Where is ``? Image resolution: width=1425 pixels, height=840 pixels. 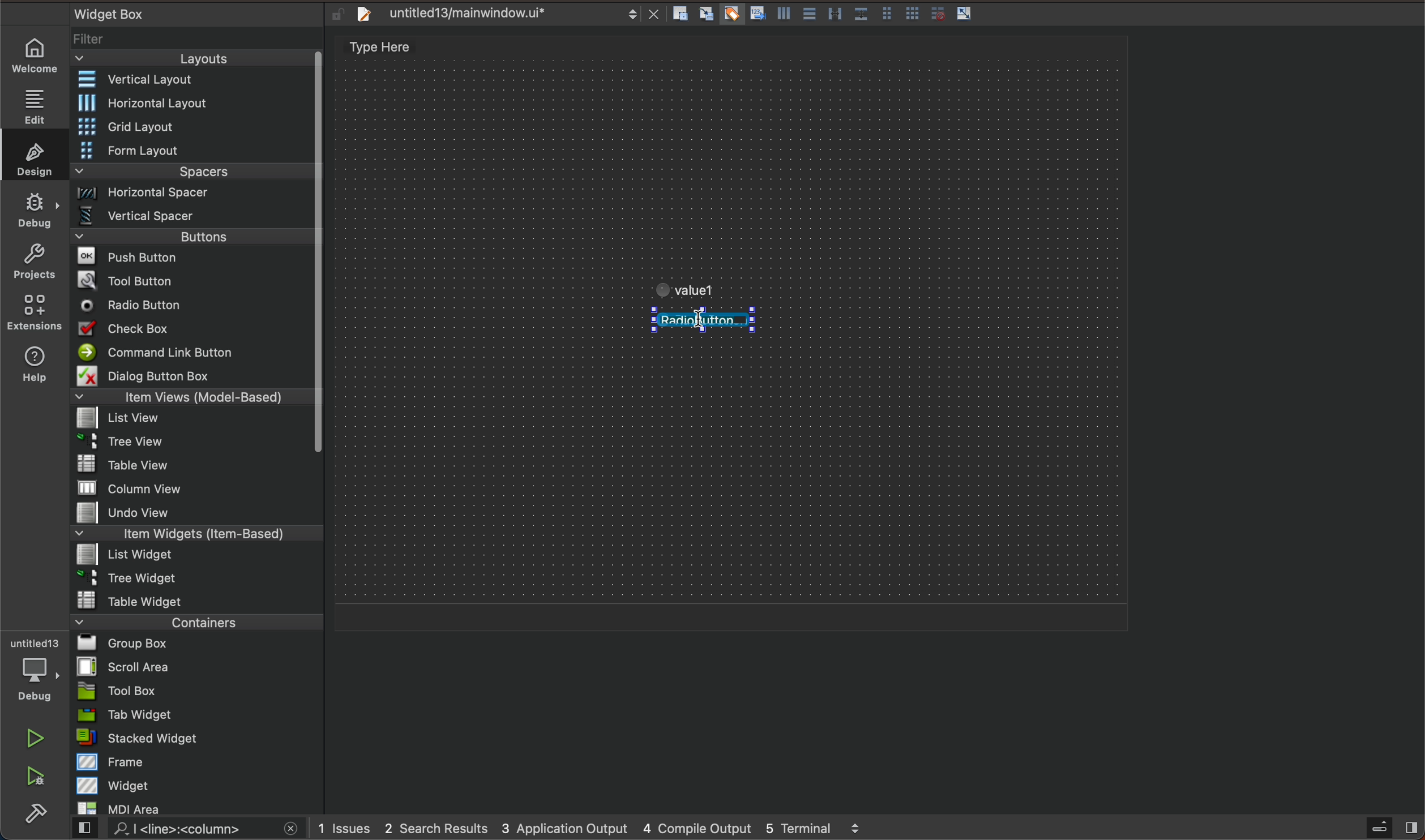  is located at coordinates (756, 15).